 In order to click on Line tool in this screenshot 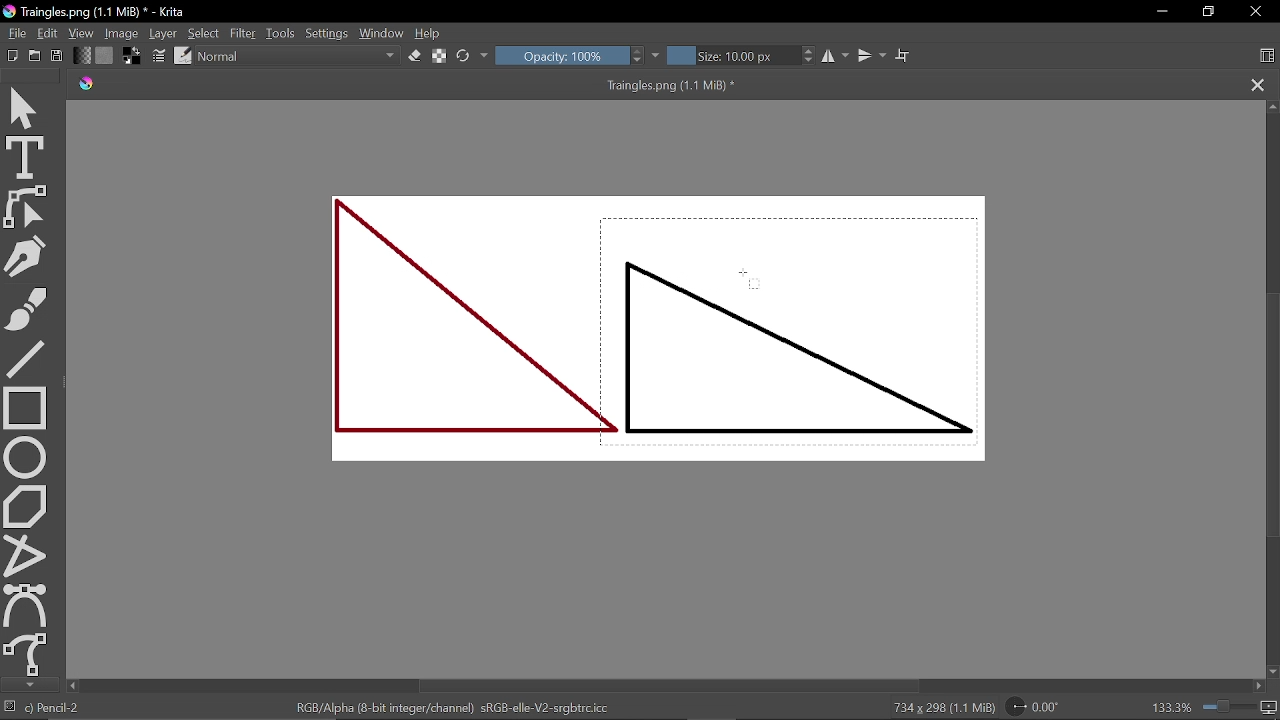, I will do `click(28, 359)`.